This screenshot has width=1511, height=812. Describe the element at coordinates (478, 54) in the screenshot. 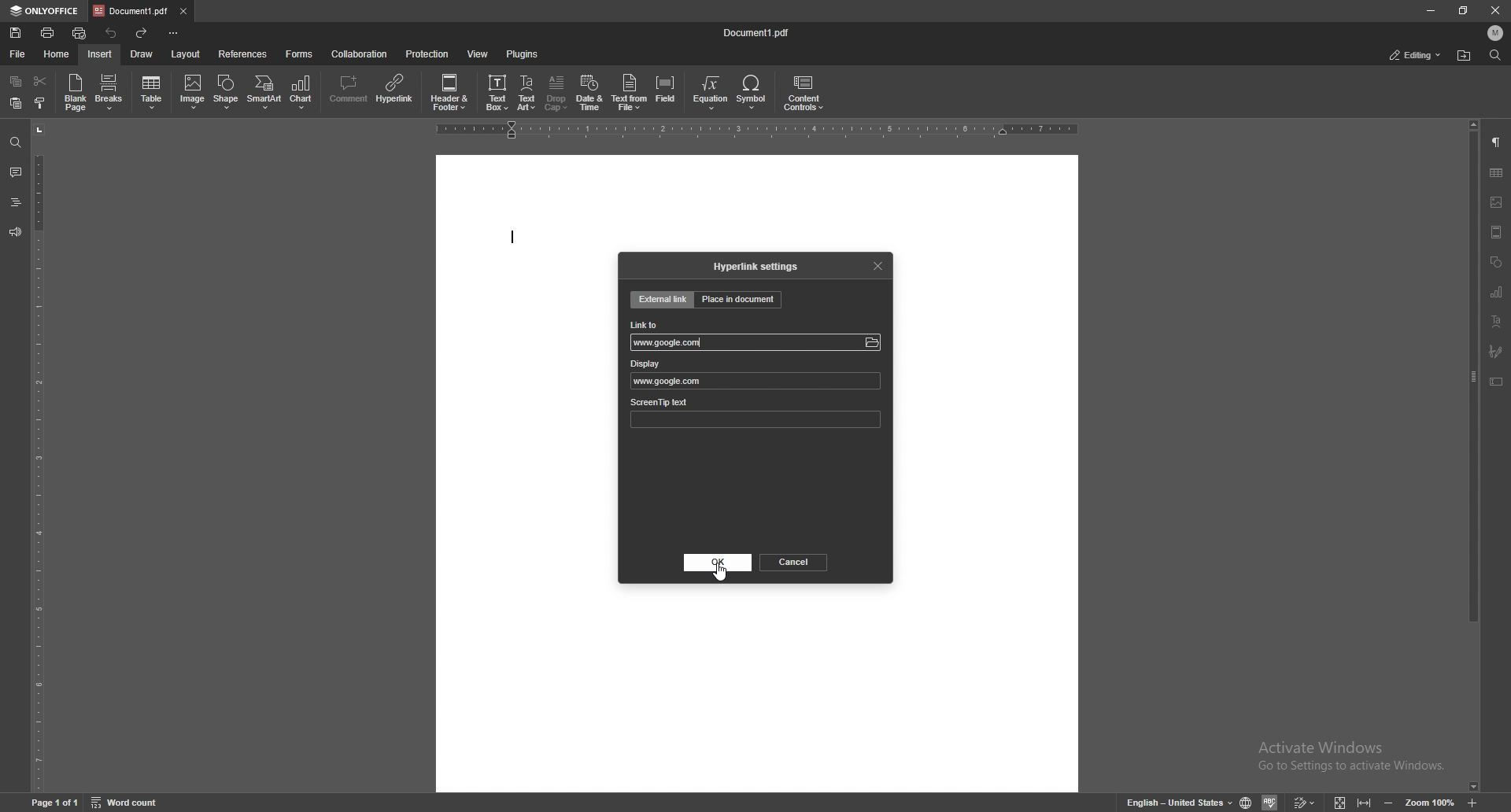

I see `view` at that location.